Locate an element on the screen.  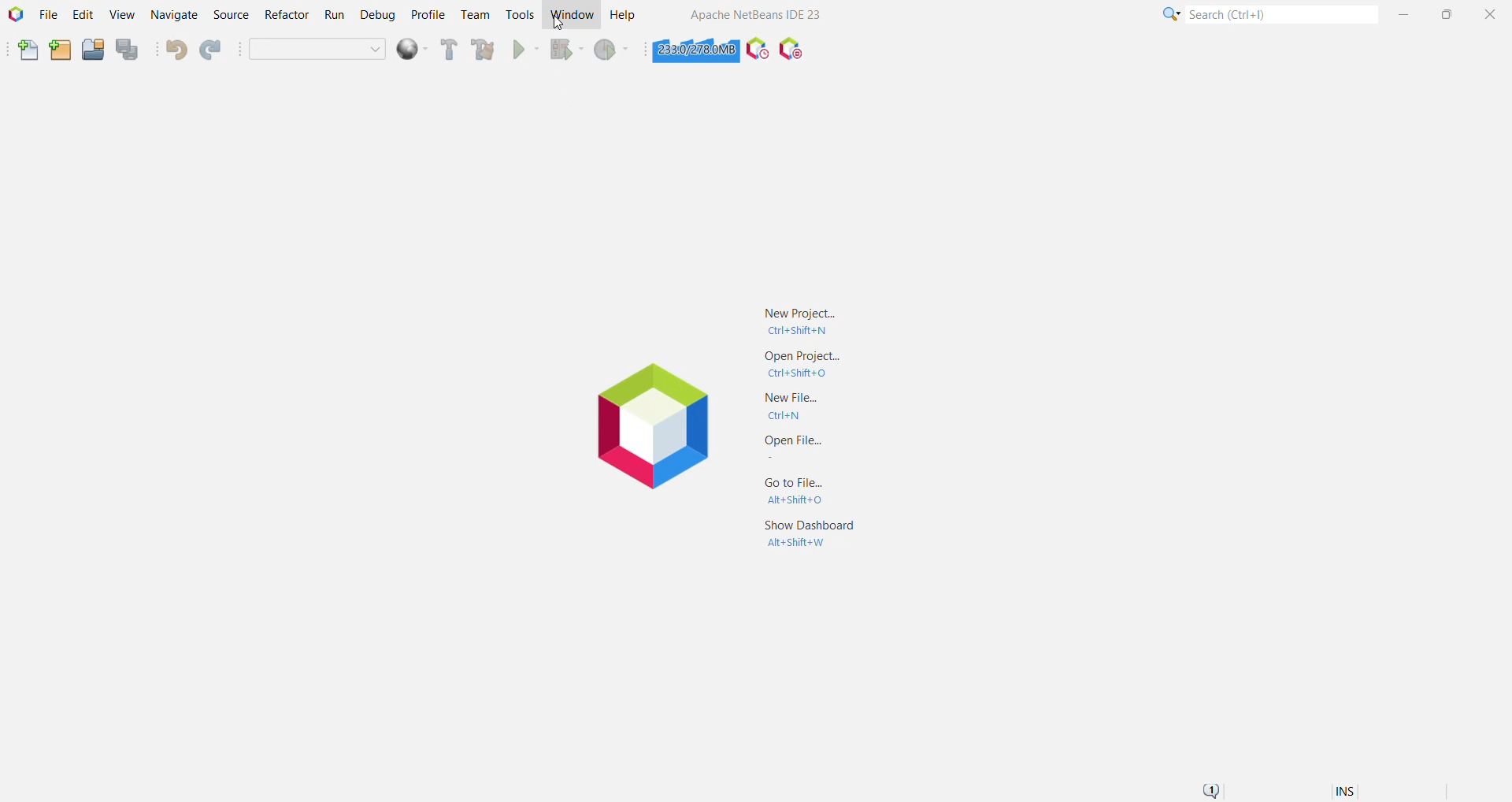
Encoding is located at coordinates (1365, 789).